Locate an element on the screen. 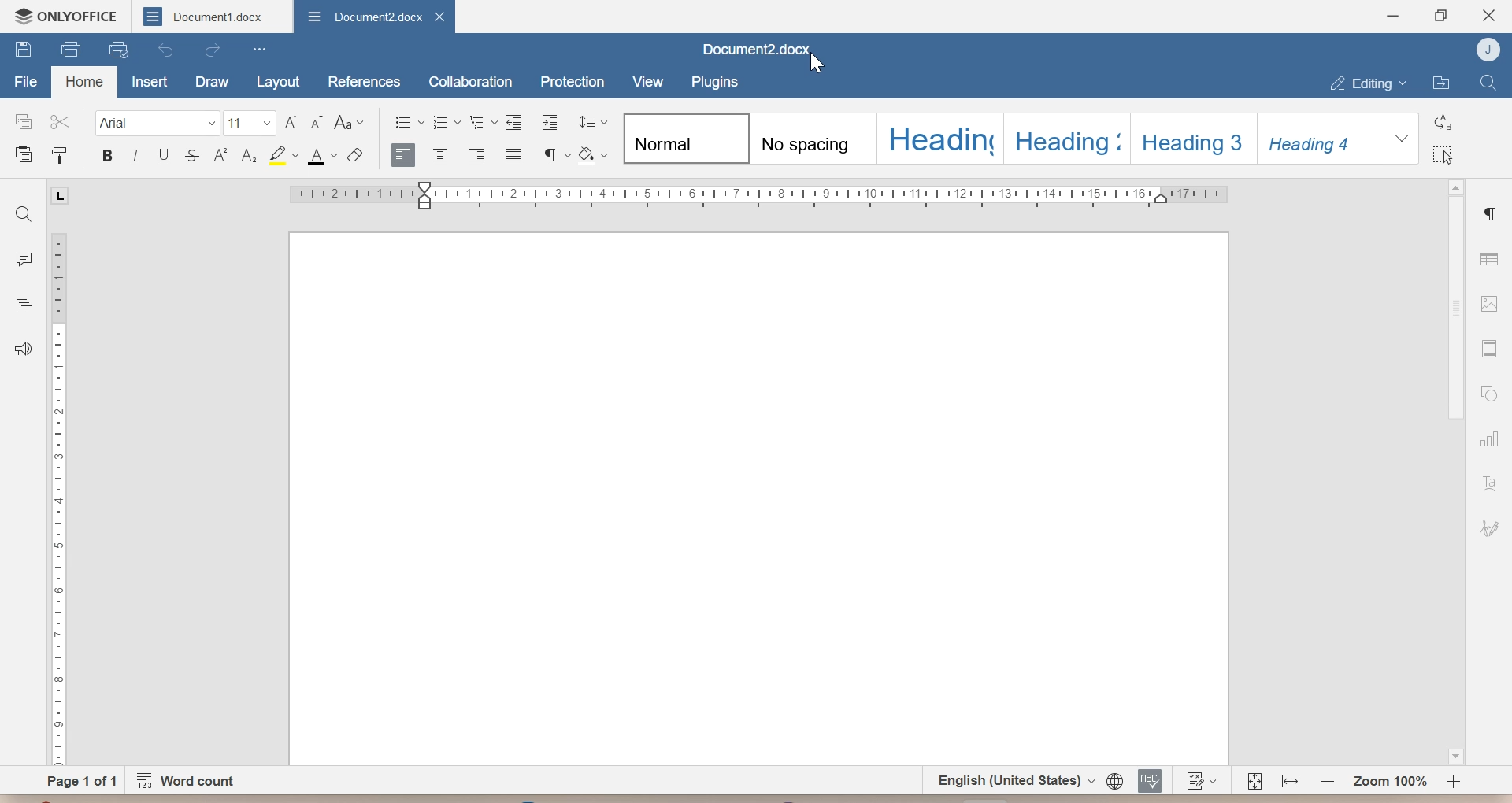  Protection is located at coordinates (572, 79).